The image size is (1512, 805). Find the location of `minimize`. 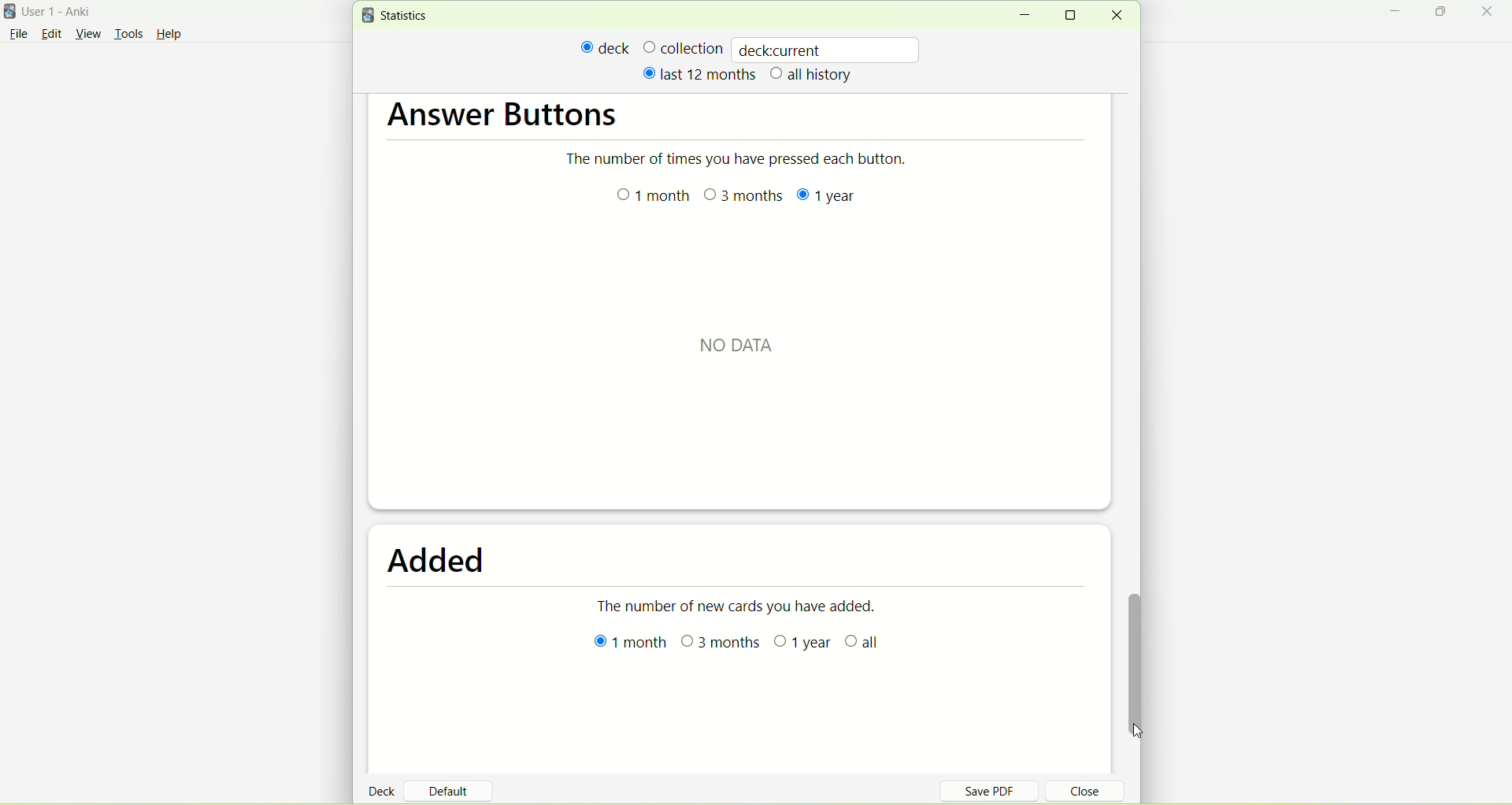

minimize is located at coordinates (1399, 13).